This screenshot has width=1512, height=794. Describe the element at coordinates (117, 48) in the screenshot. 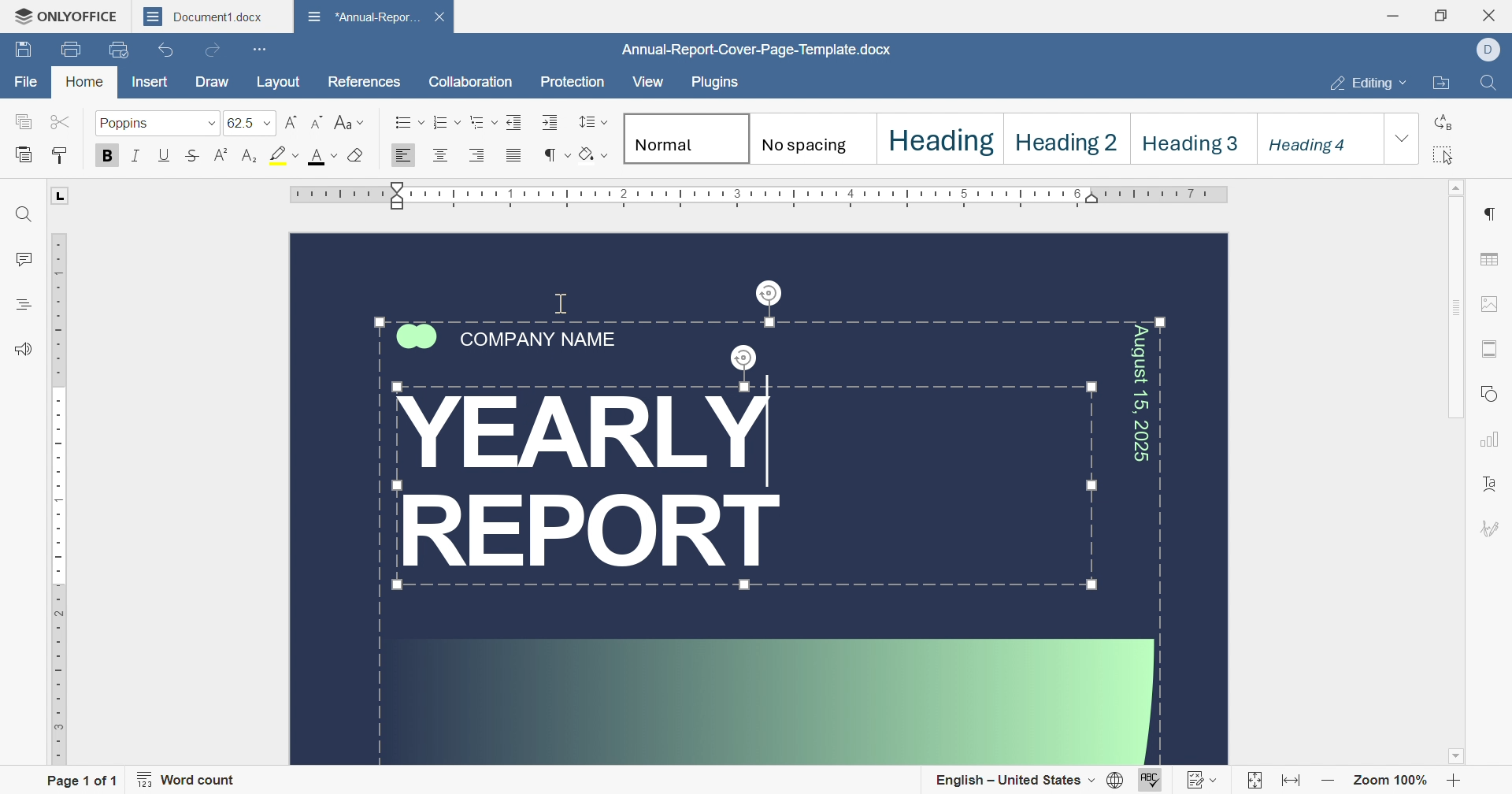

I see `quick print` at that location.